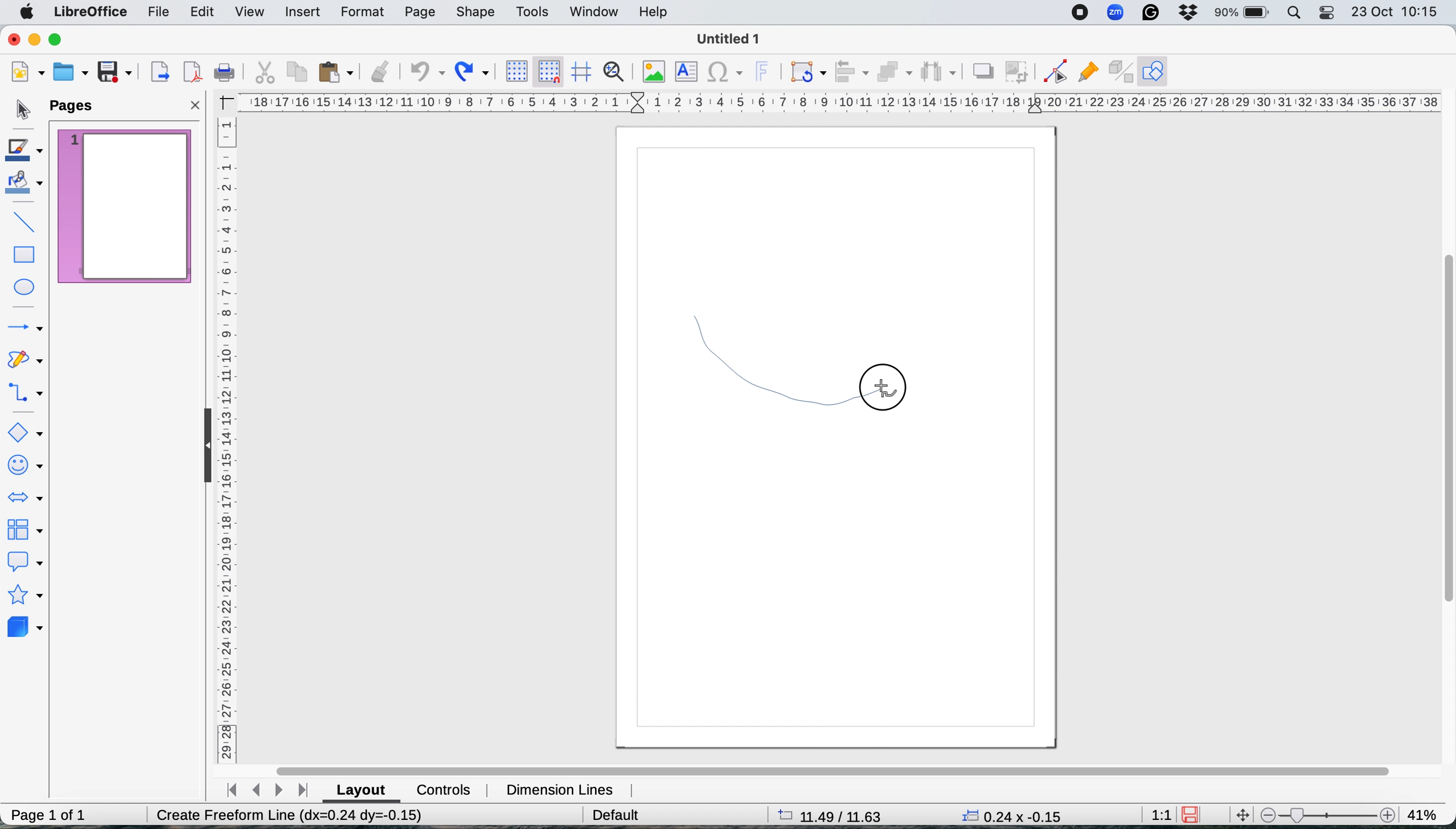 This screenshot has height=829, width=1456. Describe the element at coordinates (264, 72) in the screenshot. I see `cut` at that location.